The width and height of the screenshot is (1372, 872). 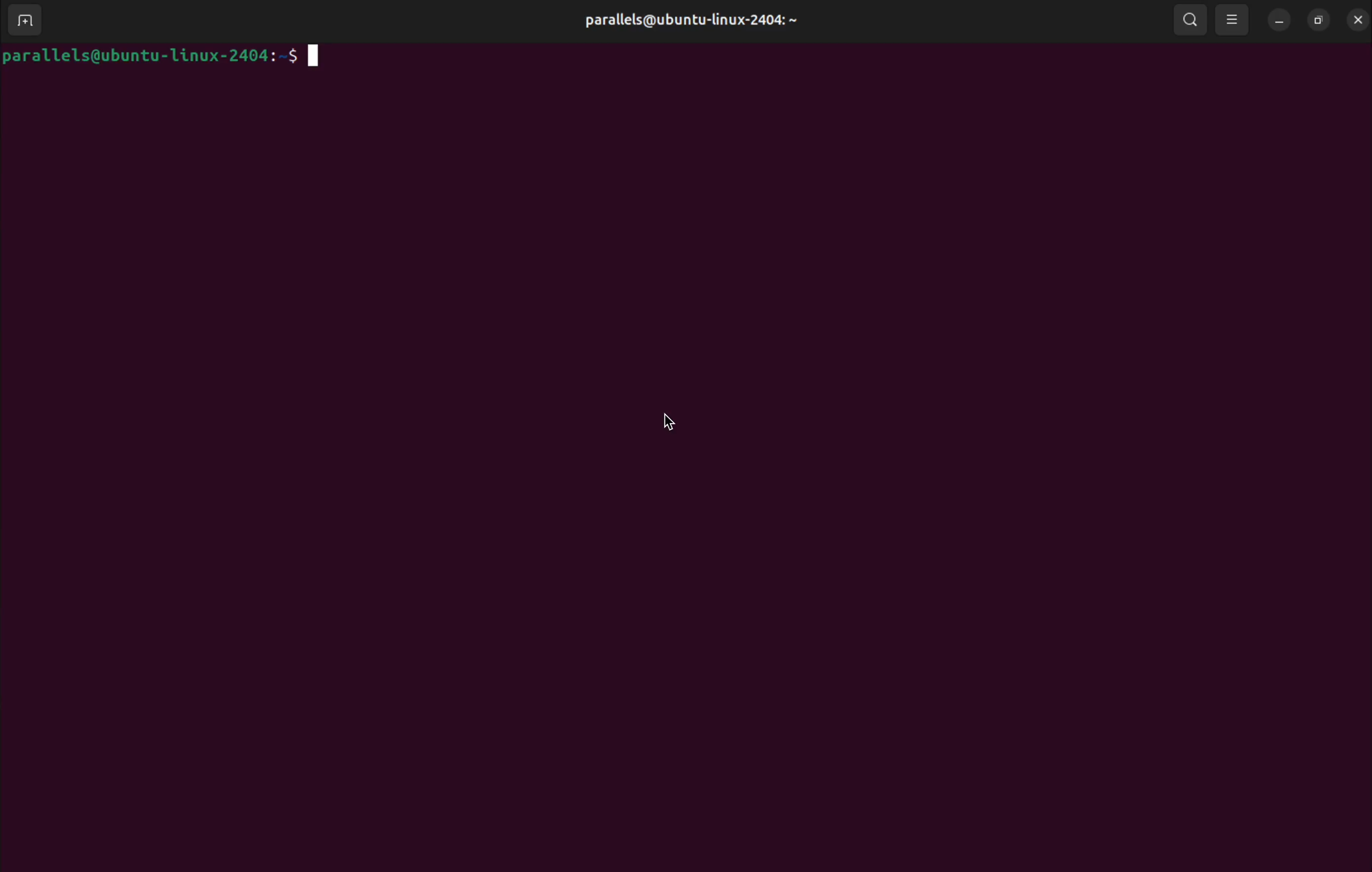 What do you see at coordinates (687, 18) in the screenshot?
I see `parallels@ ubuntu` at bounding box center [687, 18].